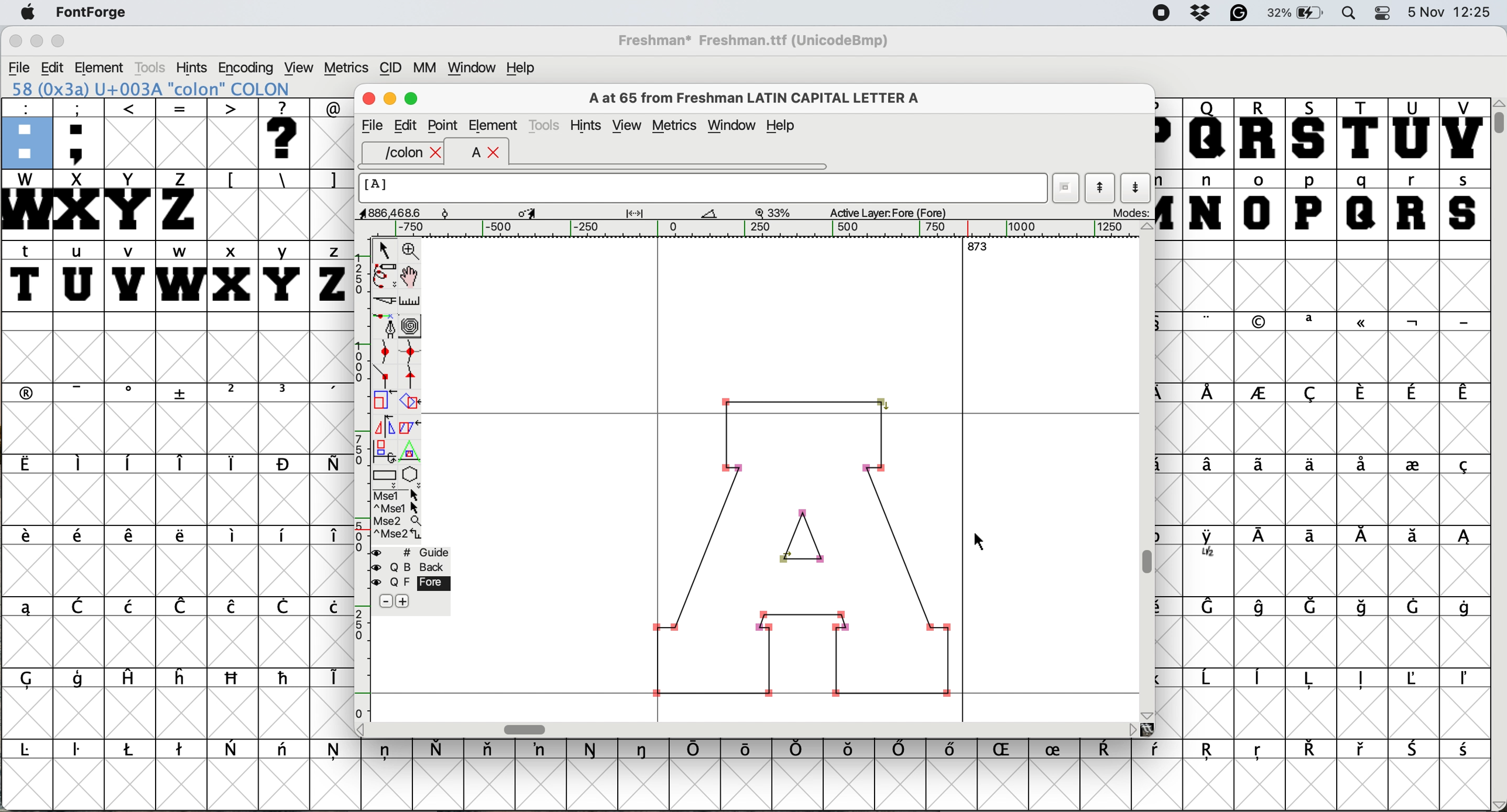 This screenshot has height=812, width=1507. What do you see at coordinates (26, 607) in the screenshot?
I see `symbol` at bounding box center [26, 607].